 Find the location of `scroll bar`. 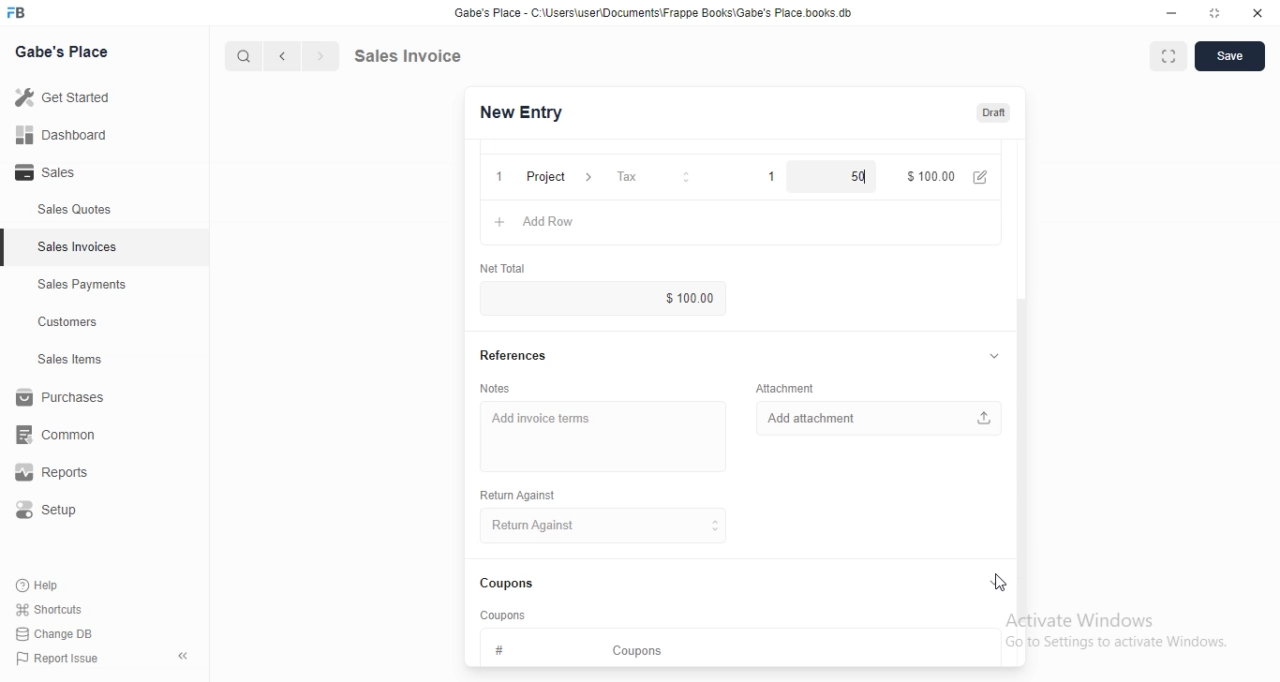

scroll bar is located at coordinates (1023, 456).